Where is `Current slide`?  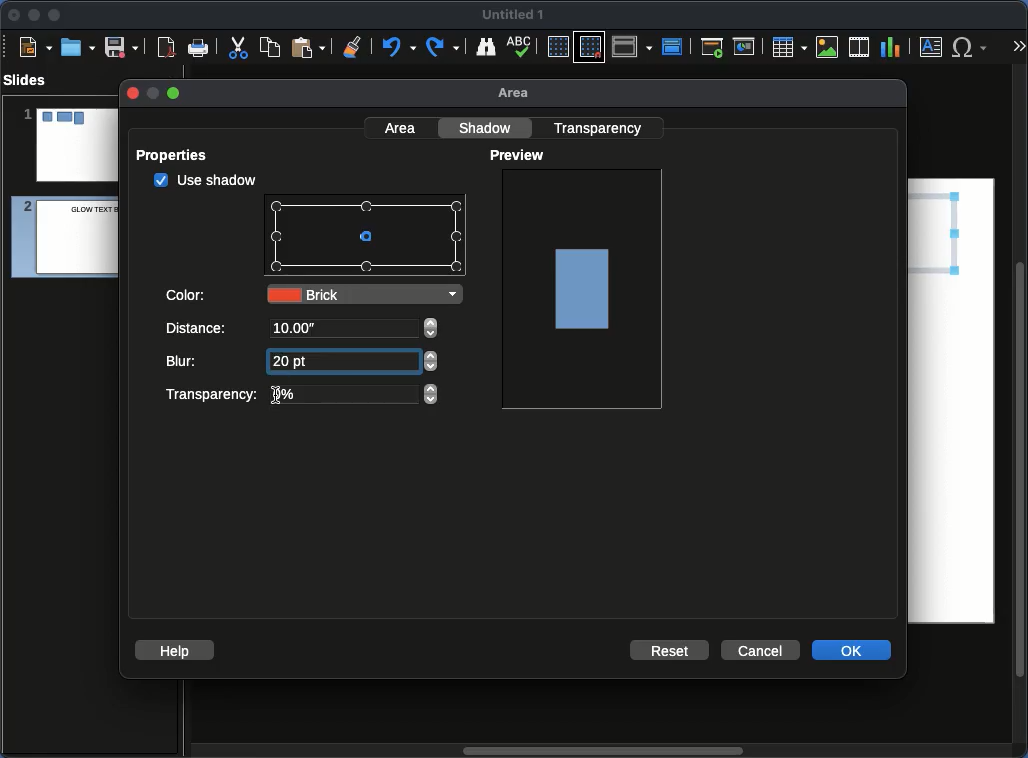 Current slide is located at coordinates (747, 47).